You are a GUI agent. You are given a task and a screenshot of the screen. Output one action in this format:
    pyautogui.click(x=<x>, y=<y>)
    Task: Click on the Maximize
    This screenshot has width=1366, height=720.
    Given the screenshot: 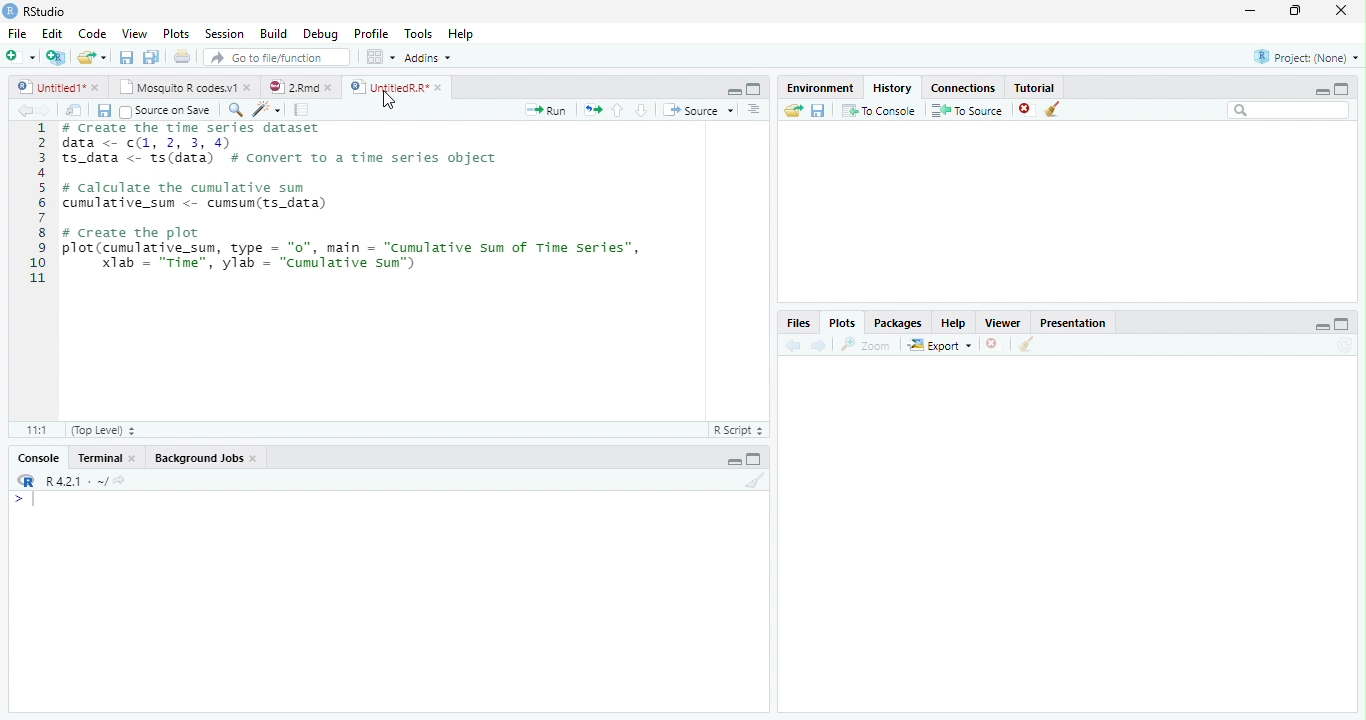 What is the action you would take?
    pyautogui.click(x=1296, y=13)
    